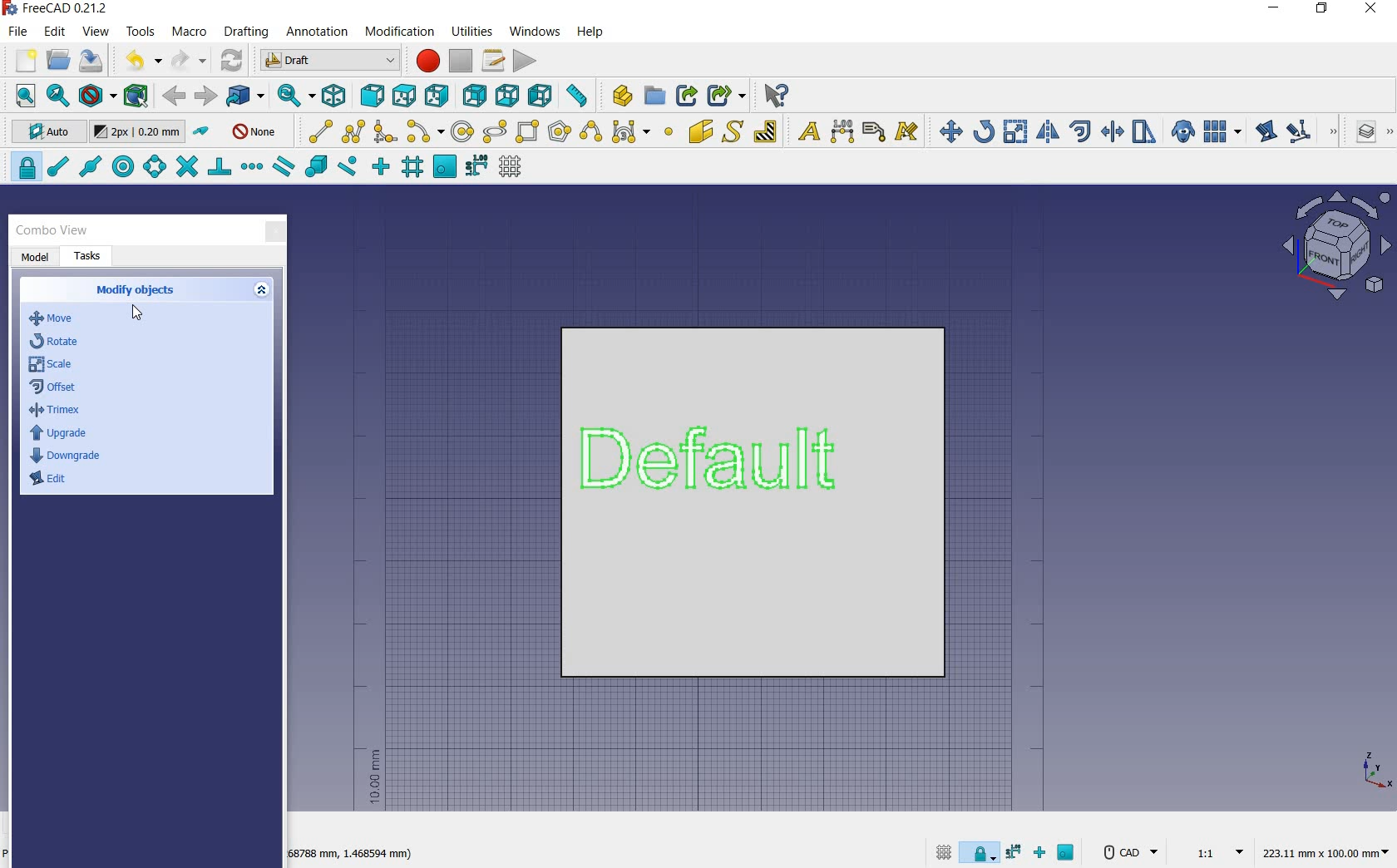  I want to click on stretch, so click(1145, 133).